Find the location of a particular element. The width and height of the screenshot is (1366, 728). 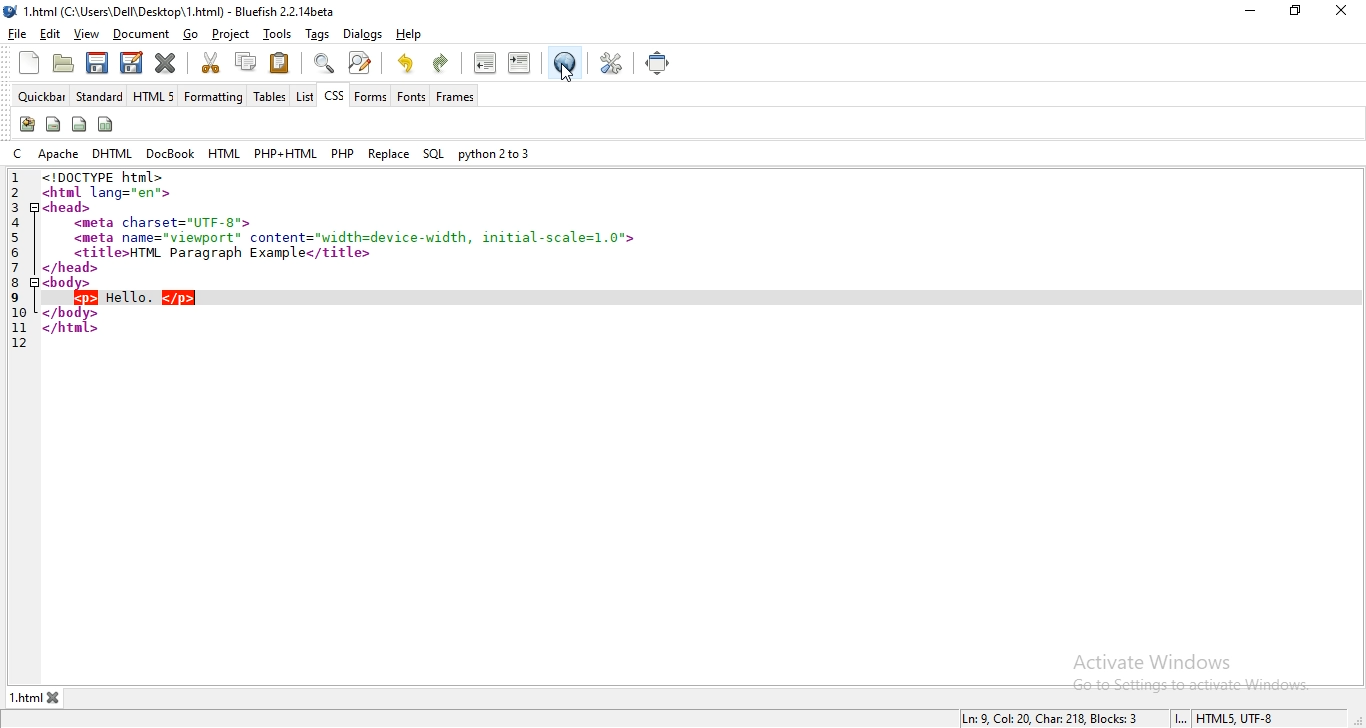

quickbar is located at coordinates (40, 97).